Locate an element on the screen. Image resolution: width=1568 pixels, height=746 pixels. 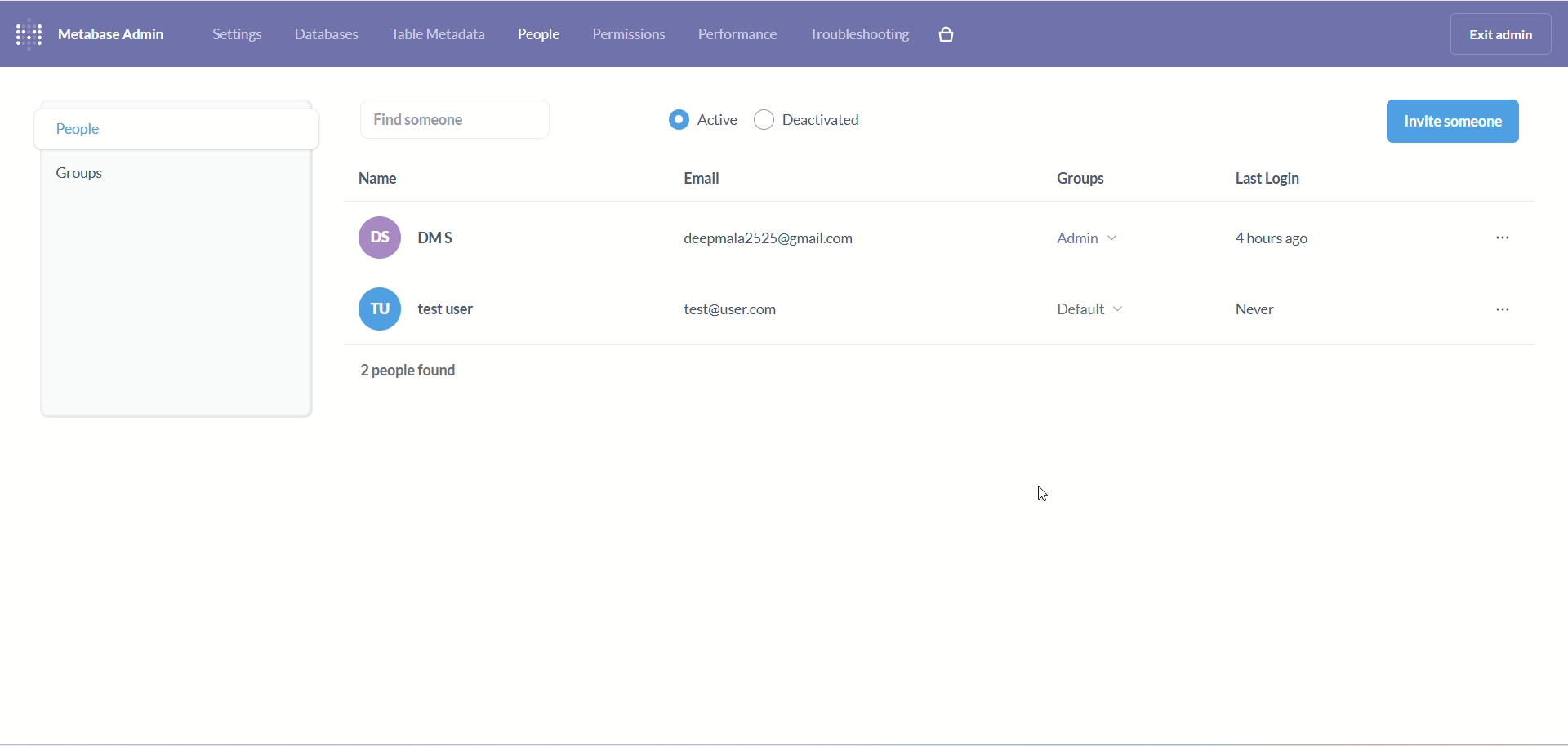
email is located at coordinates (700, 173).